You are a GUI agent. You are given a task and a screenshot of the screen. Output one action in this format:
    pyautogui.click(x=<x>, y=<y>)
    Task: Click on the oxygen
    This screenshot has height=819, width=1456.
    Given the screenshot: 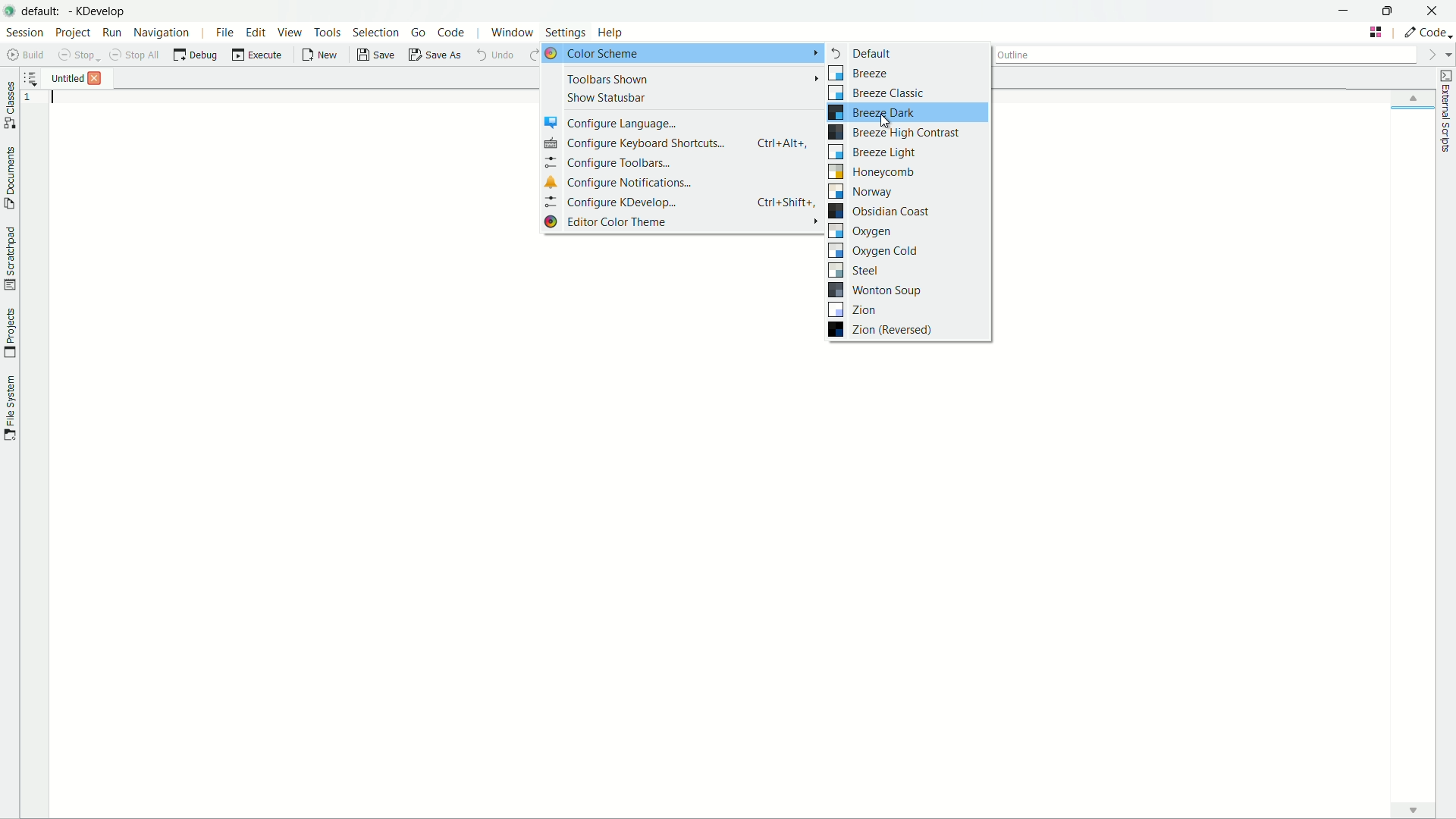 What is the action you would take?
    pyautogui.click(x=861, y=231)
    